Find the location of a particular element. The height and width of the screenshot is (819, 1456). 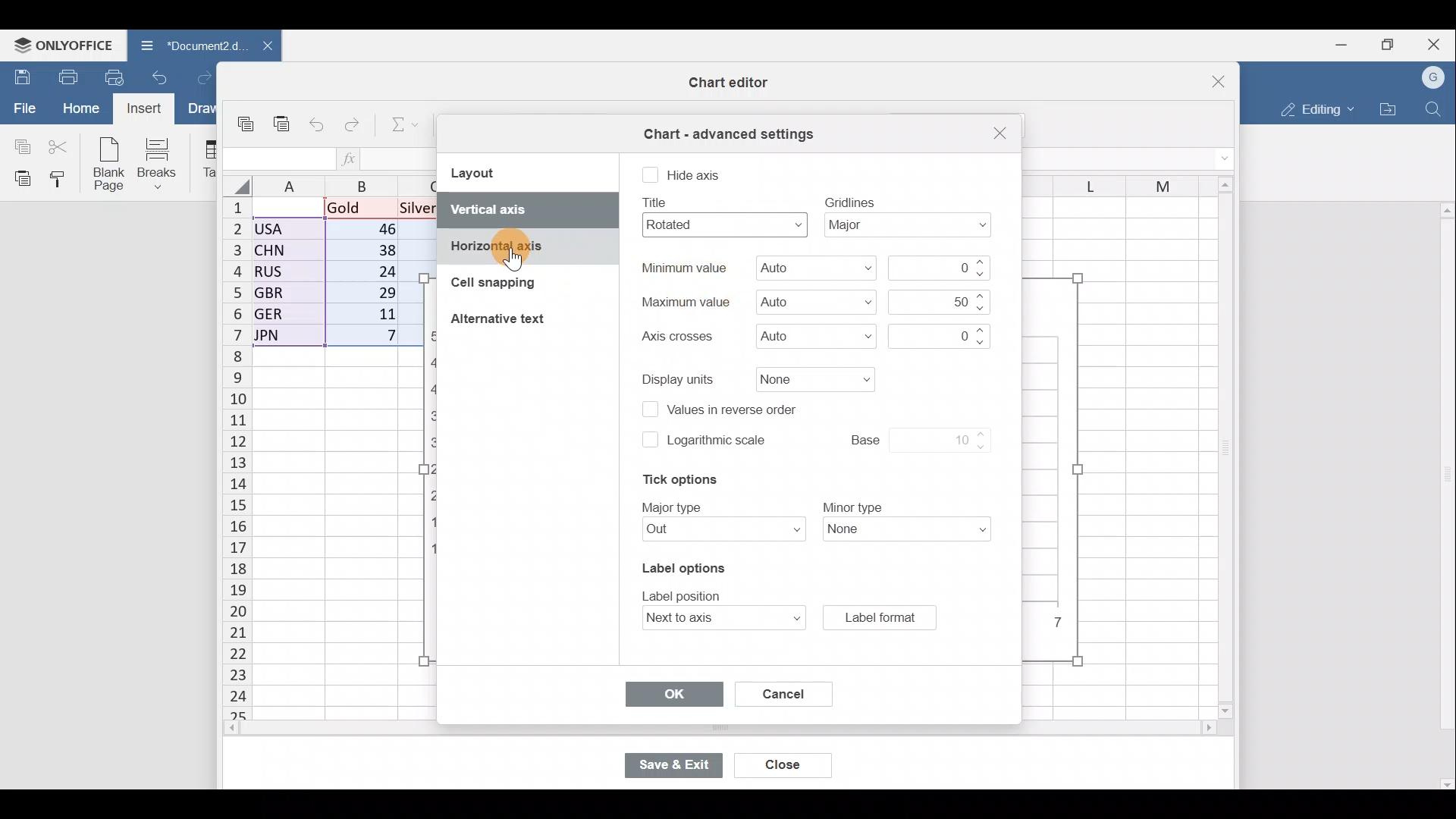

Redo is located at coordinates (197, 76).